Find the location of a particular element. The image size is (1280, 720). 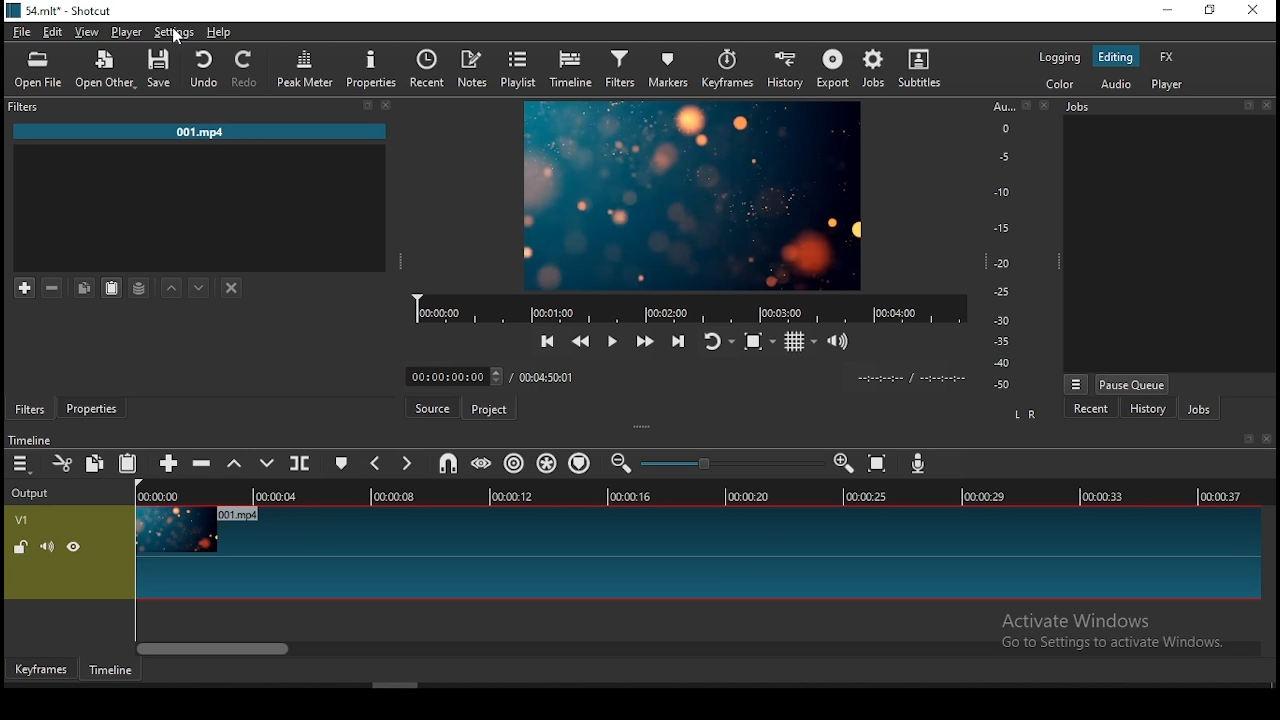

player is located at coordinates (1170, 85).